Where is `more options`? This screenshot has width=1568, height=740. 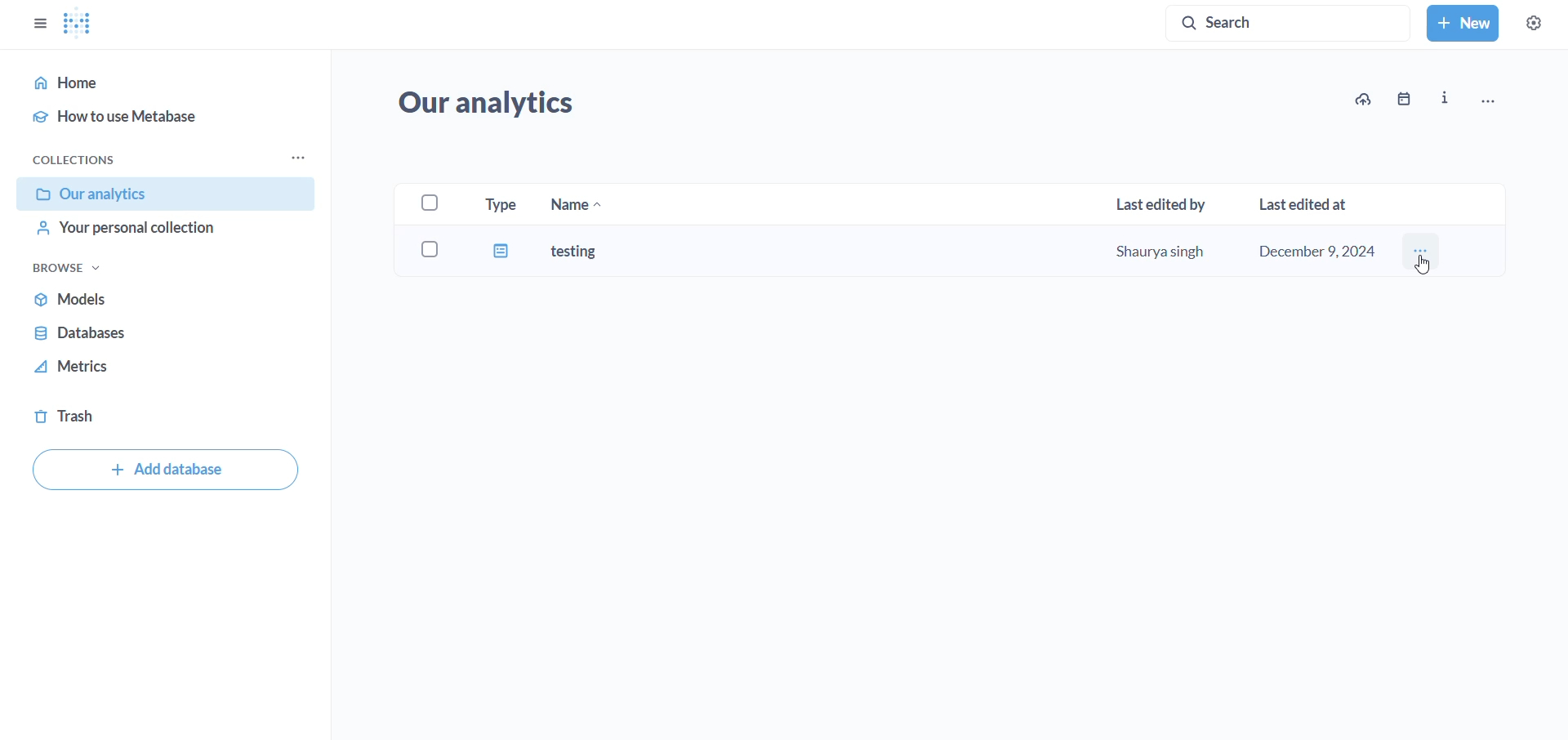 more options is located at coordinates (1499, 96).